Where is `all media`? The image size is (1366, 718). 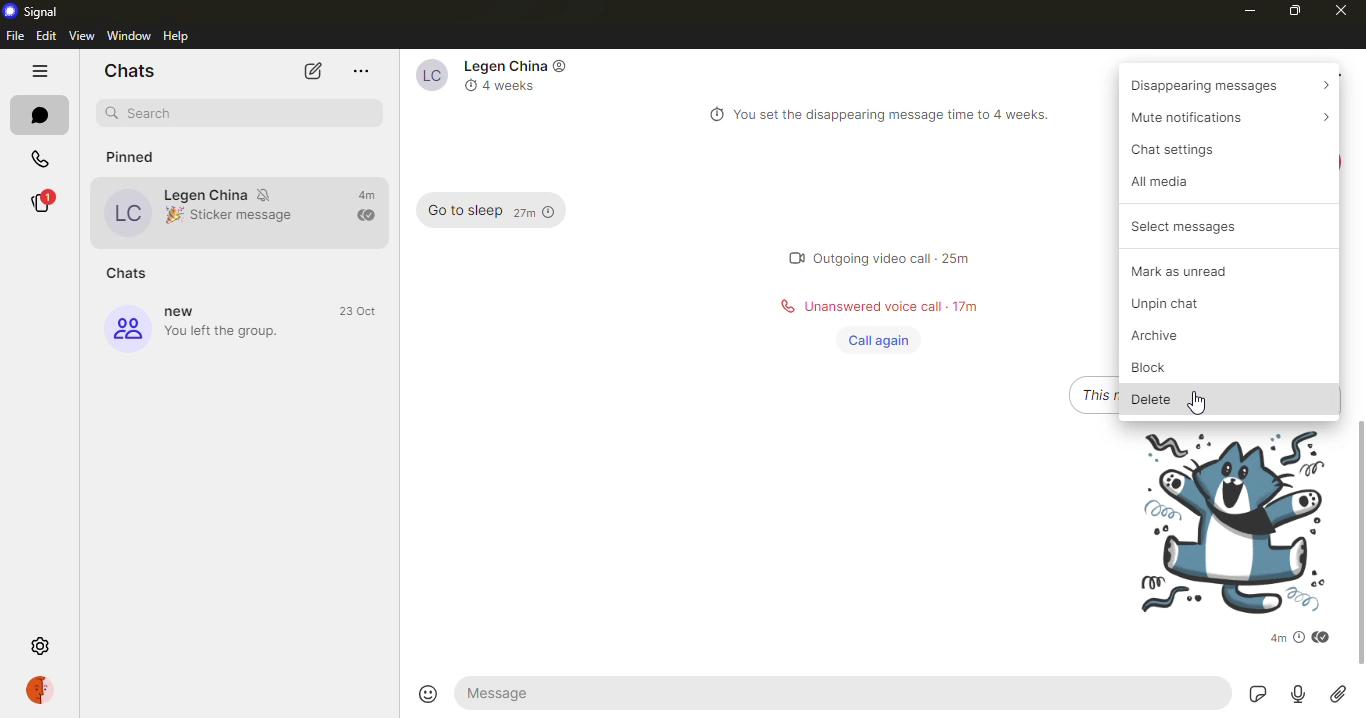 all media is located at coordinates (1175, 182).